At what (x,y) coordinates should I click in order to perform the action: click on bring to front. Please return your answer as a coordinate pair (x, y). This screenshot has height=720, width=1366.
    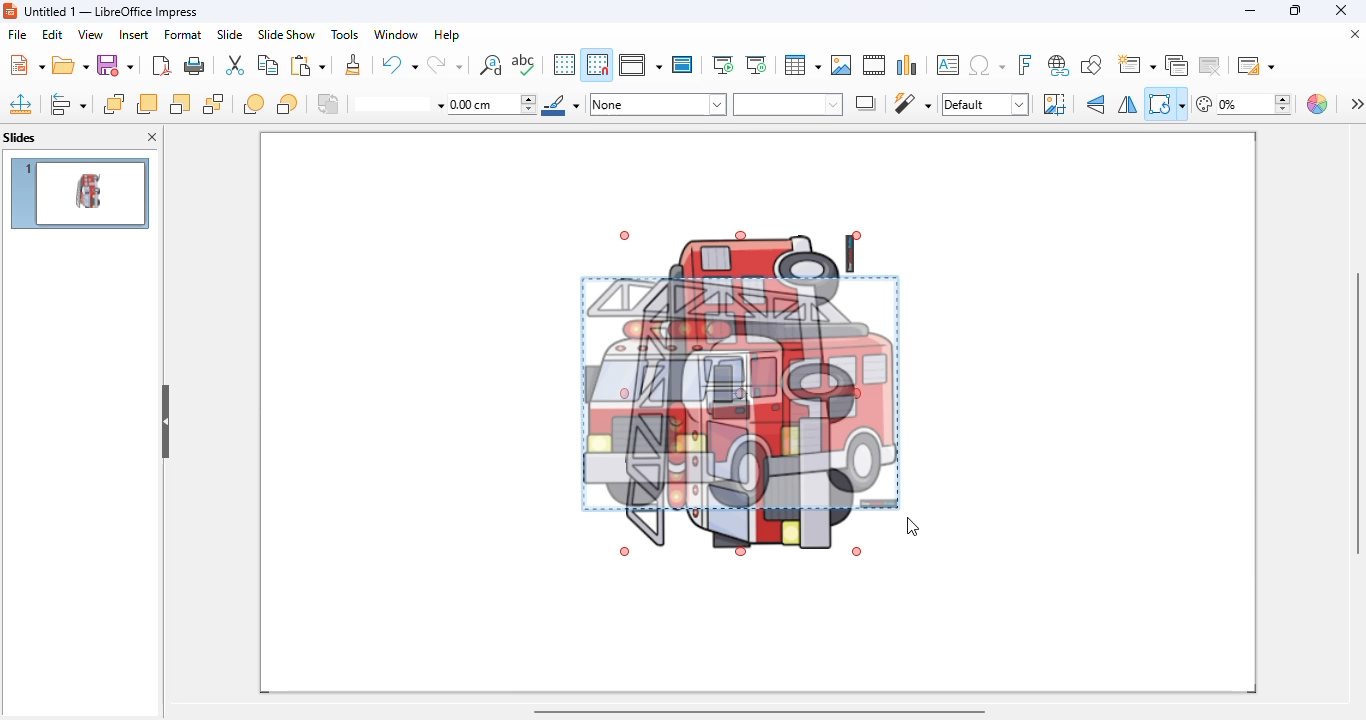
    Looking at the image, I should click on (114, 104).